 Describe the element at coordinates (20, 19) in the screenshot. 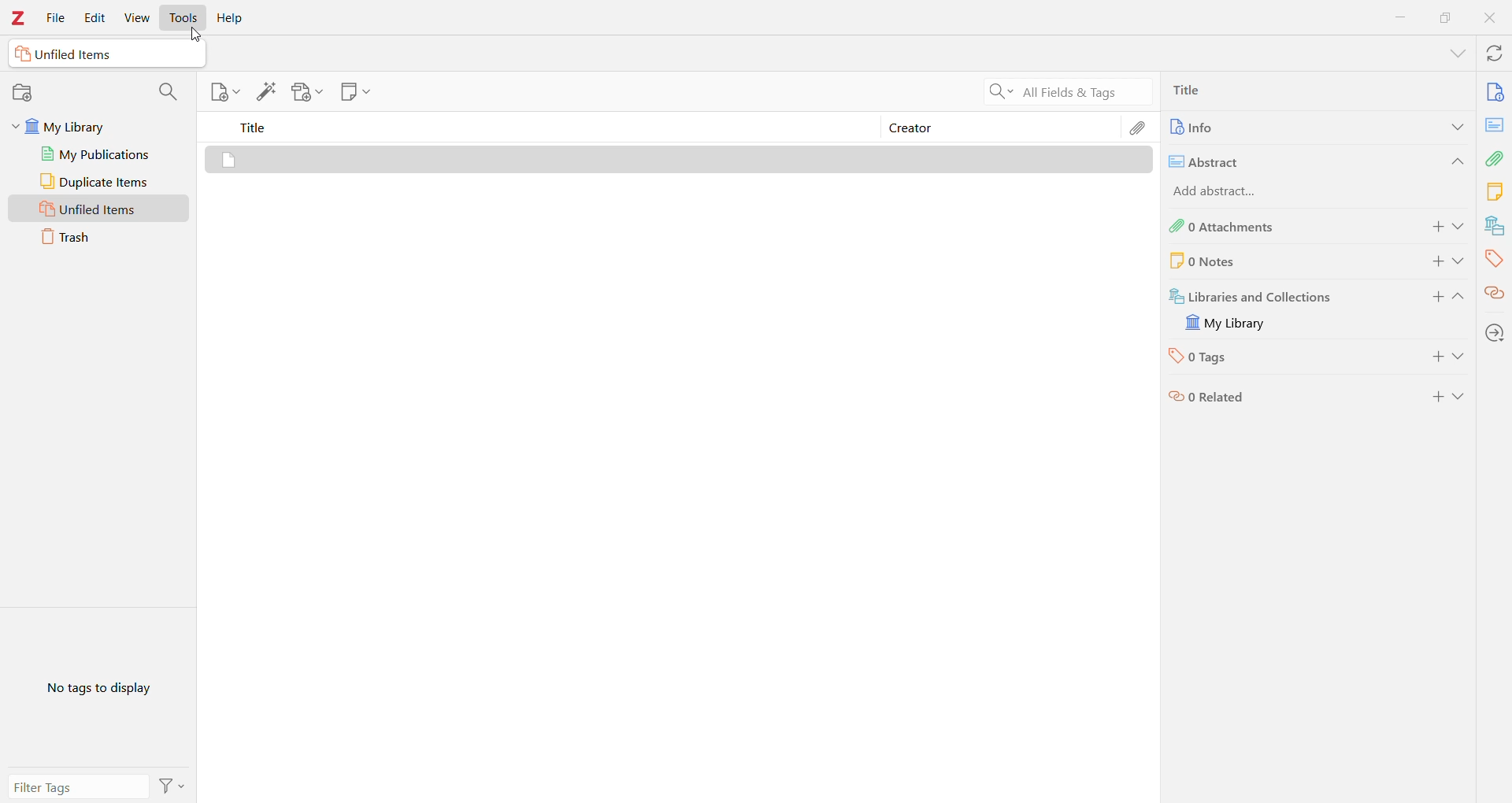

I see `Application Logo` at that location.